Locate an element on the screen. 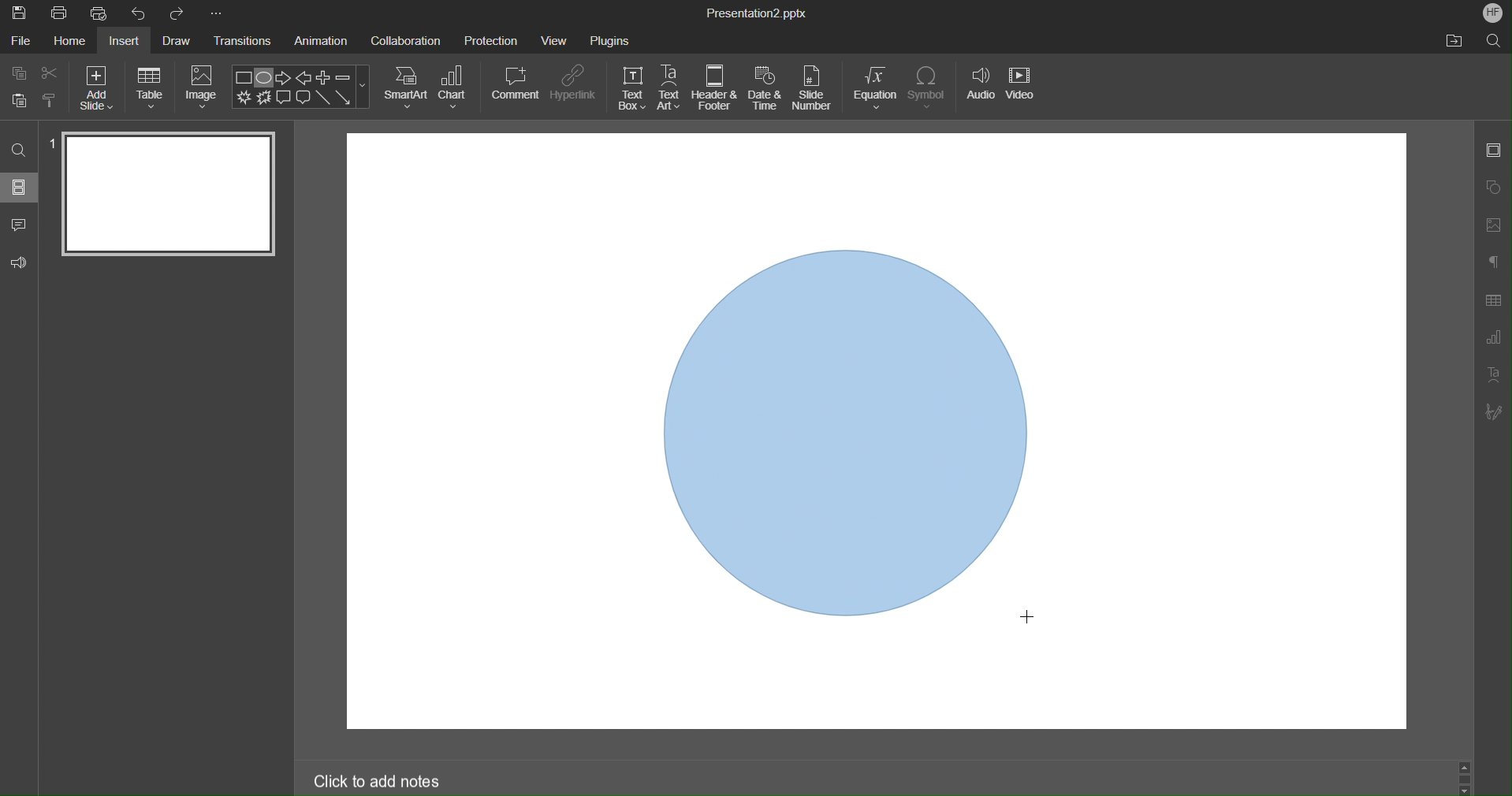  Cursor is located at coordinates (1031, 617).